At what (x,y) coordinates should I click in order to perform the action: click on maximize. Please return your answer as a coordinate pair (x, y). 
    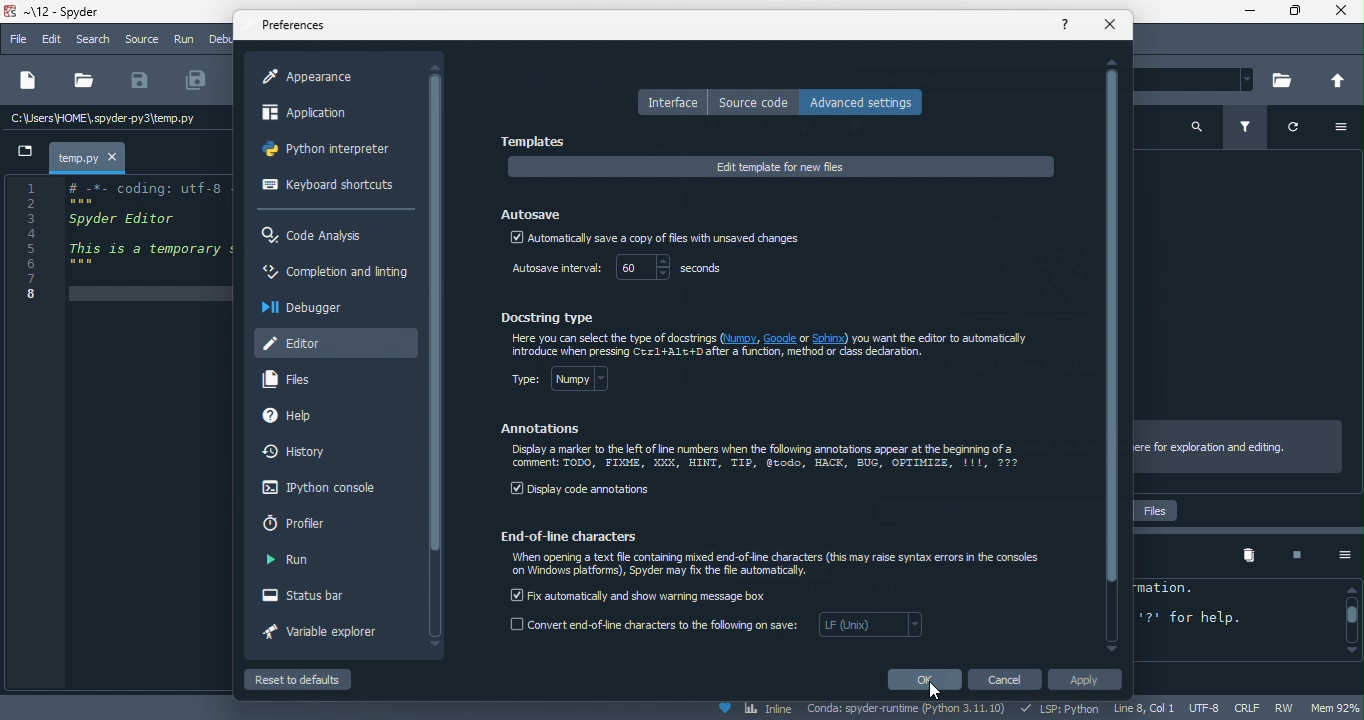
    Looking at the image, I should click on (1293, 14).